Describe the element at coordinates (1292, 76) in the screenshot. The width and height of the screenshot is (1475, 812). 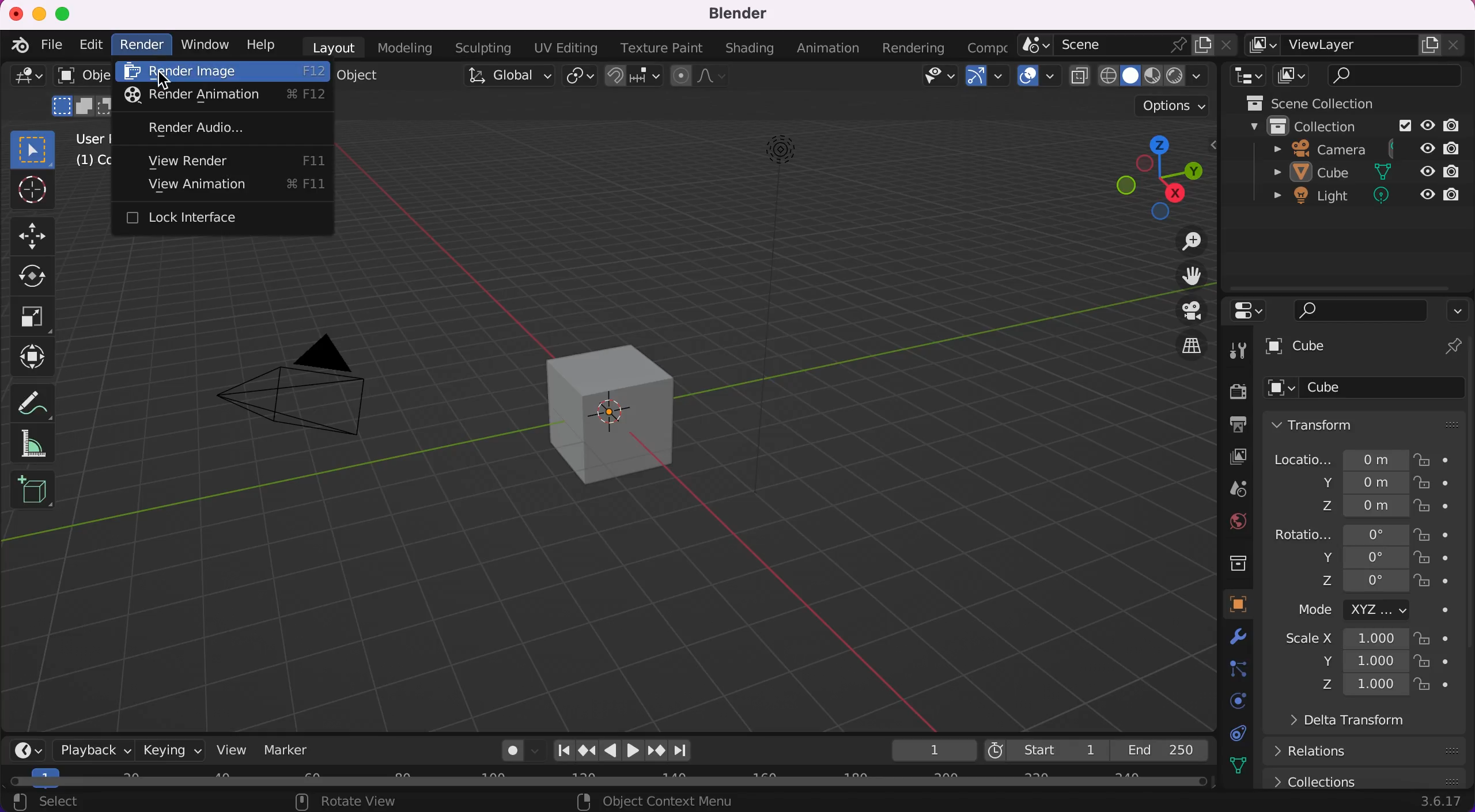
I see `display mode` at that location.